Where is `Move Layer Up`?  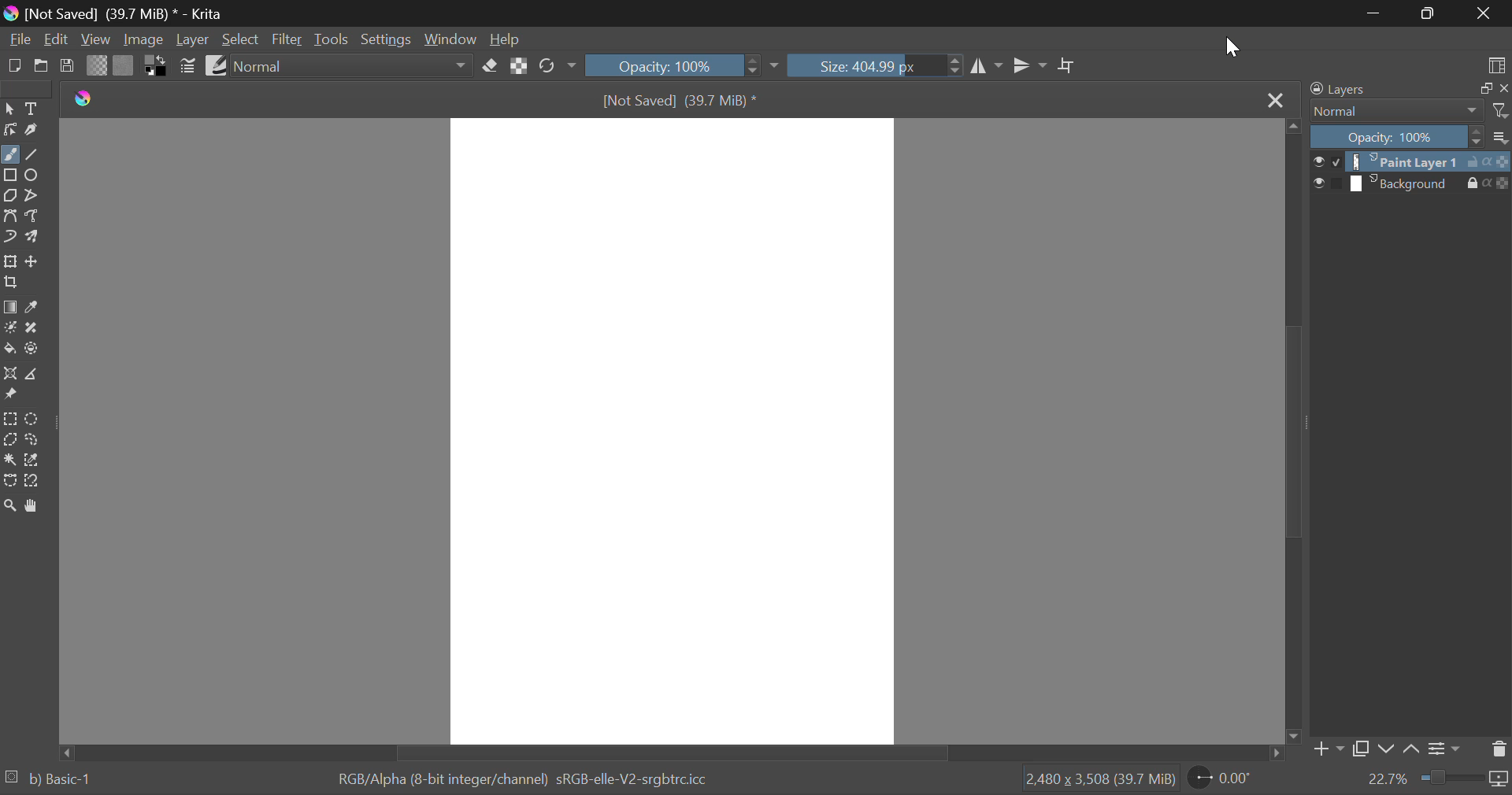 Move Layer Up is located at coordinates (1411, 751).